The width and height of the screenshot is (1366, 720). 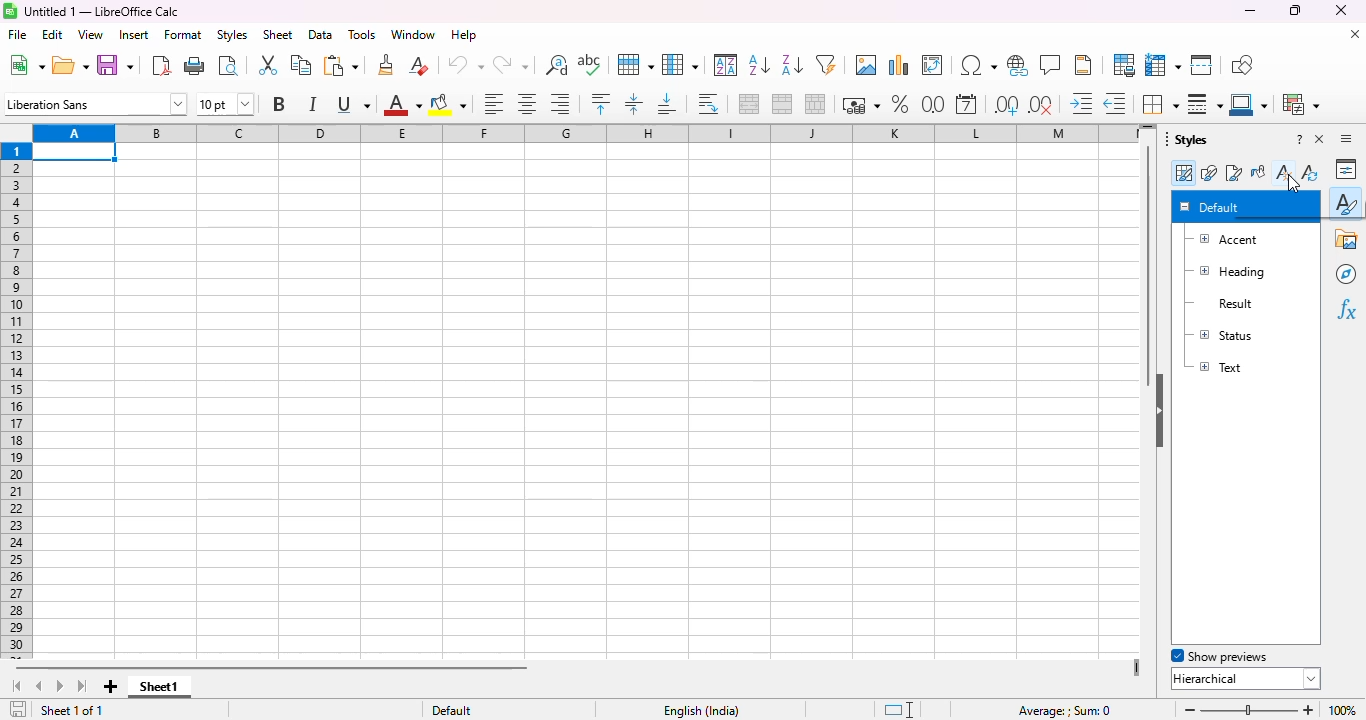 What do you see at coordinates (1347, 202) in the screenshot?
I see `styles` at bounding box center [1347, 202].